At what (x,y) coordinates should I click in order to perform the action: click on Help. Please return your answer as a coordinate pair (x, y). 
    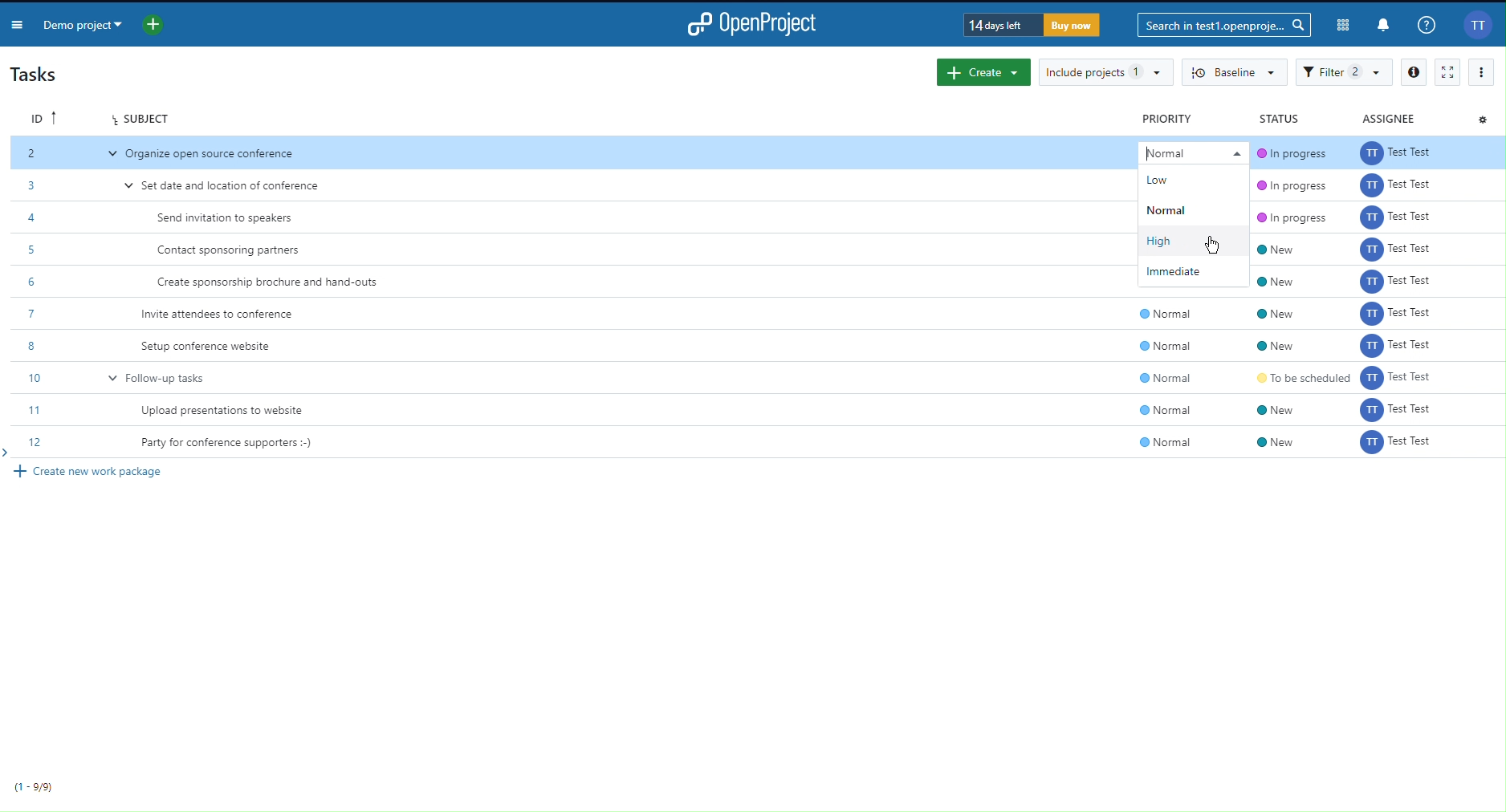
    Looking at the image, I should click on (1427, 25).